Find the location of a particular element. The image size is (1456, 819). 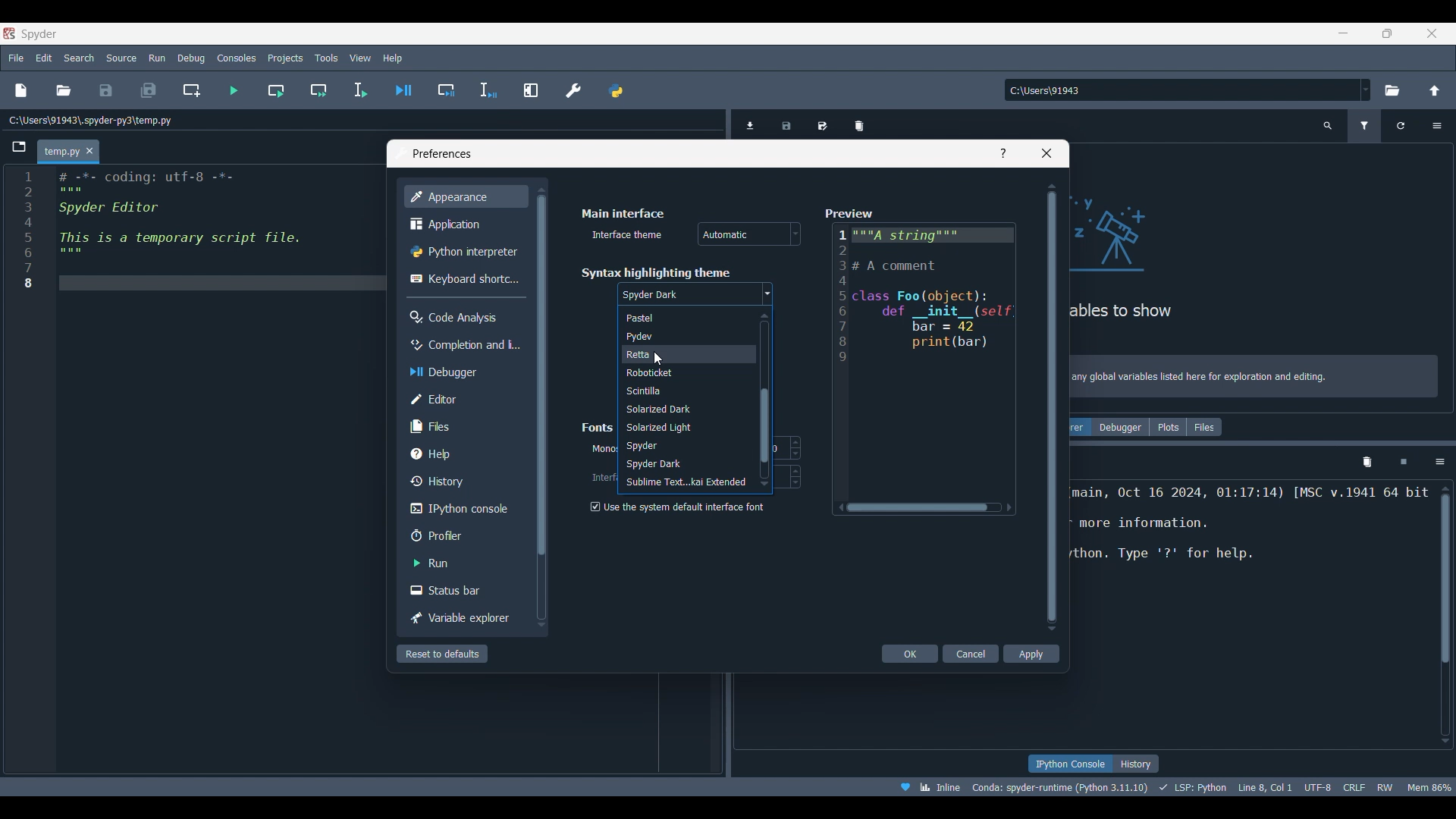

roboticket is located at coordinates (681, 374).